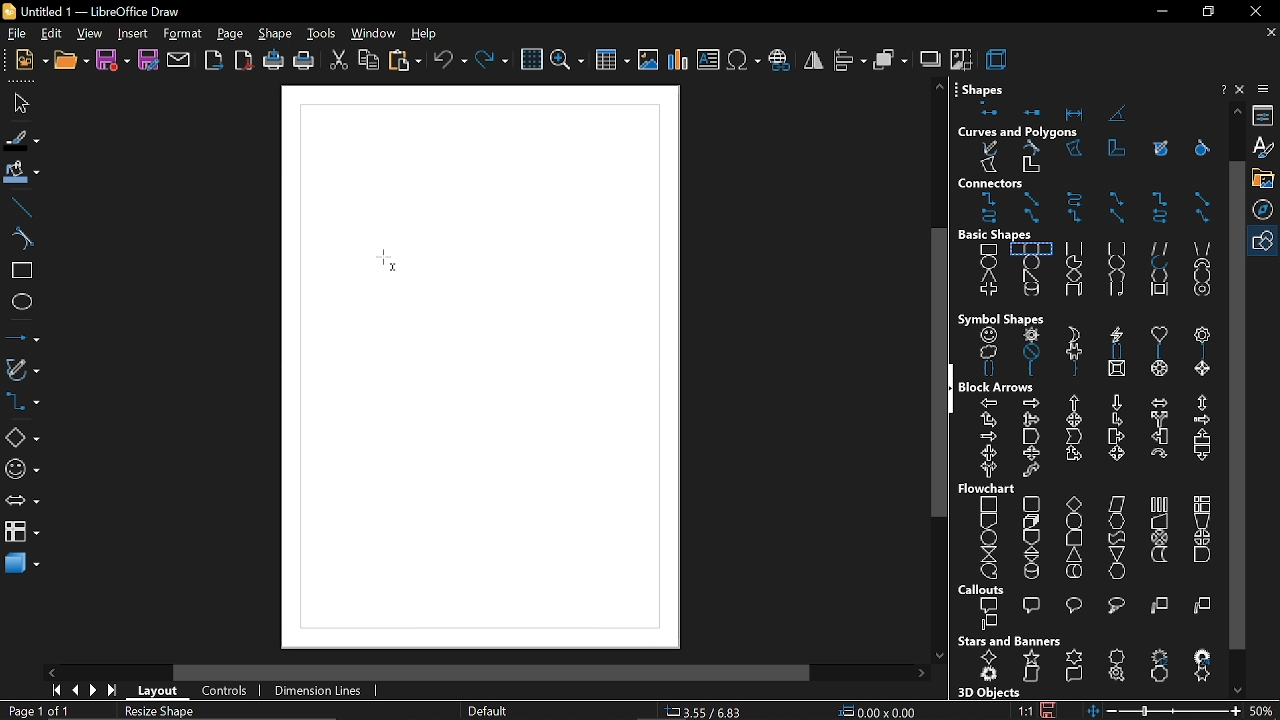  What do you see at coordinates (648, 61) in the screenshot?
I see `insert image` at bounding box center [648, 61].